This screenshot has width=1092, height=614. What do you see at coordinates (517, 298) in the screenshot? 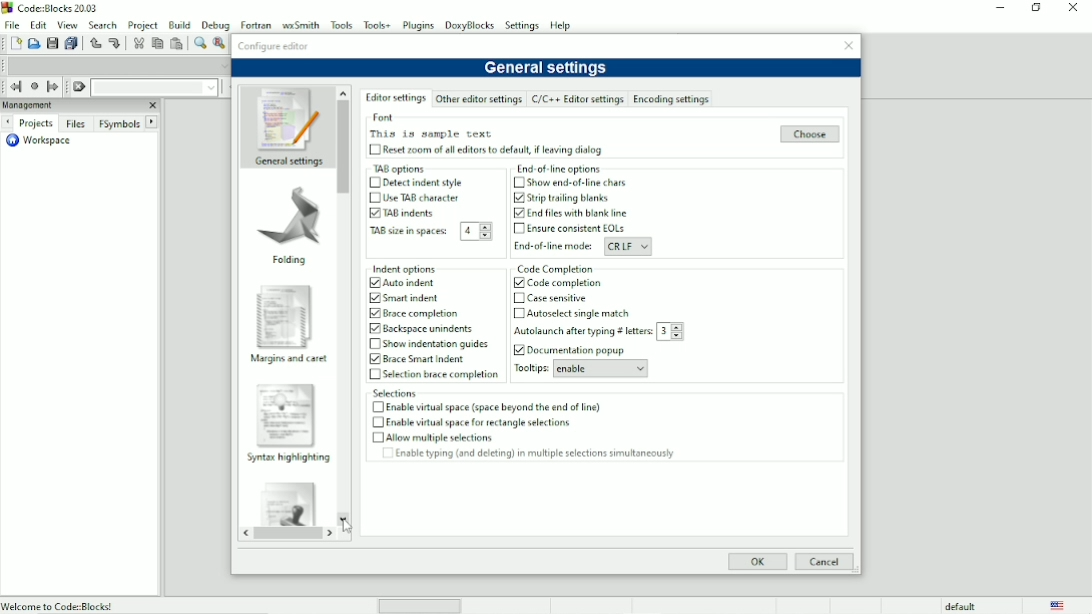
I see `` at bounding box center [517, 298].